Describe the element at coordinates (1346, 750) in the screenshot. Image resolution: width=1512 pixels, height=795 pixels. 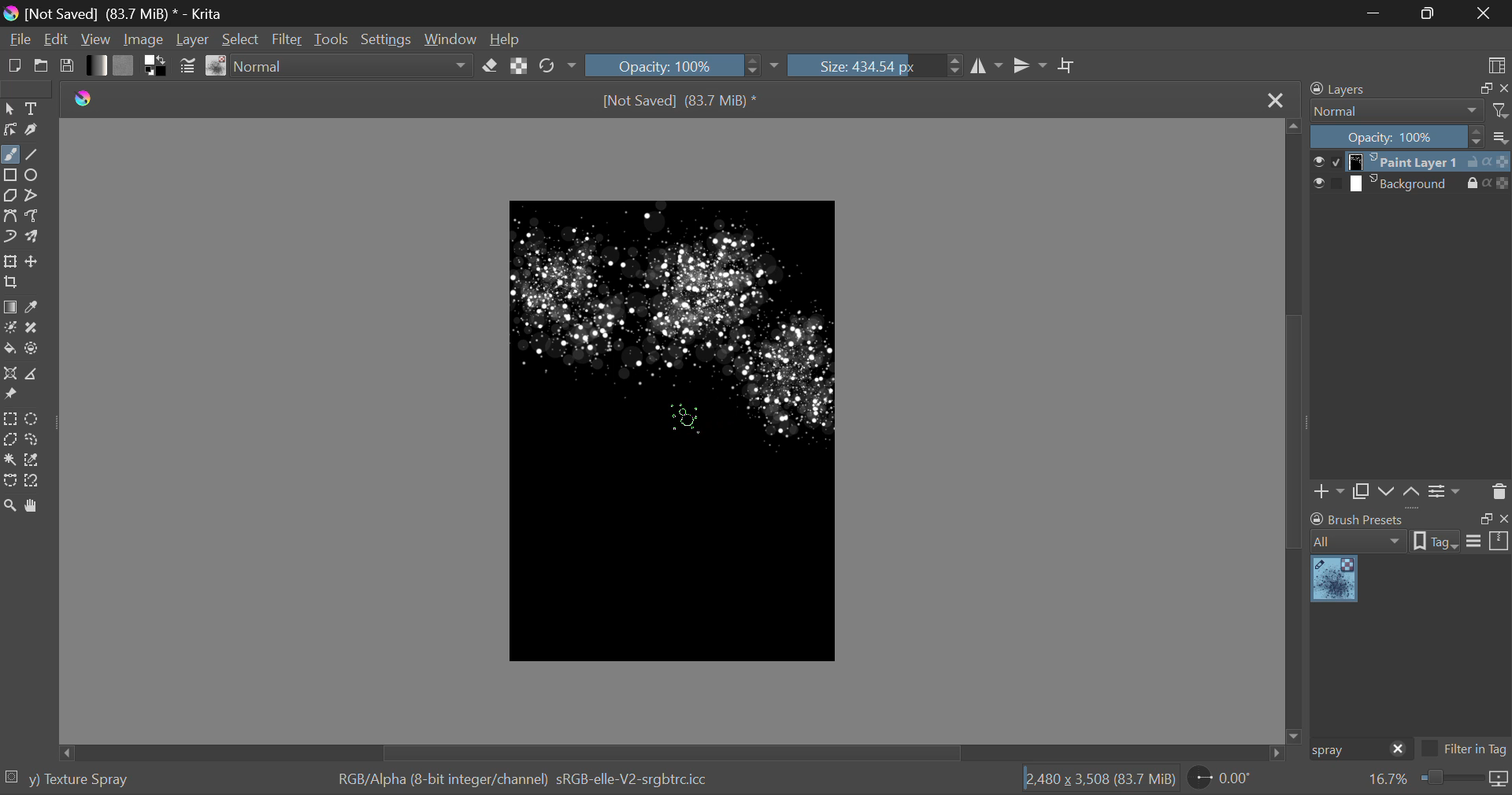
I see `Brush Preset Search: "spray"` at that location.